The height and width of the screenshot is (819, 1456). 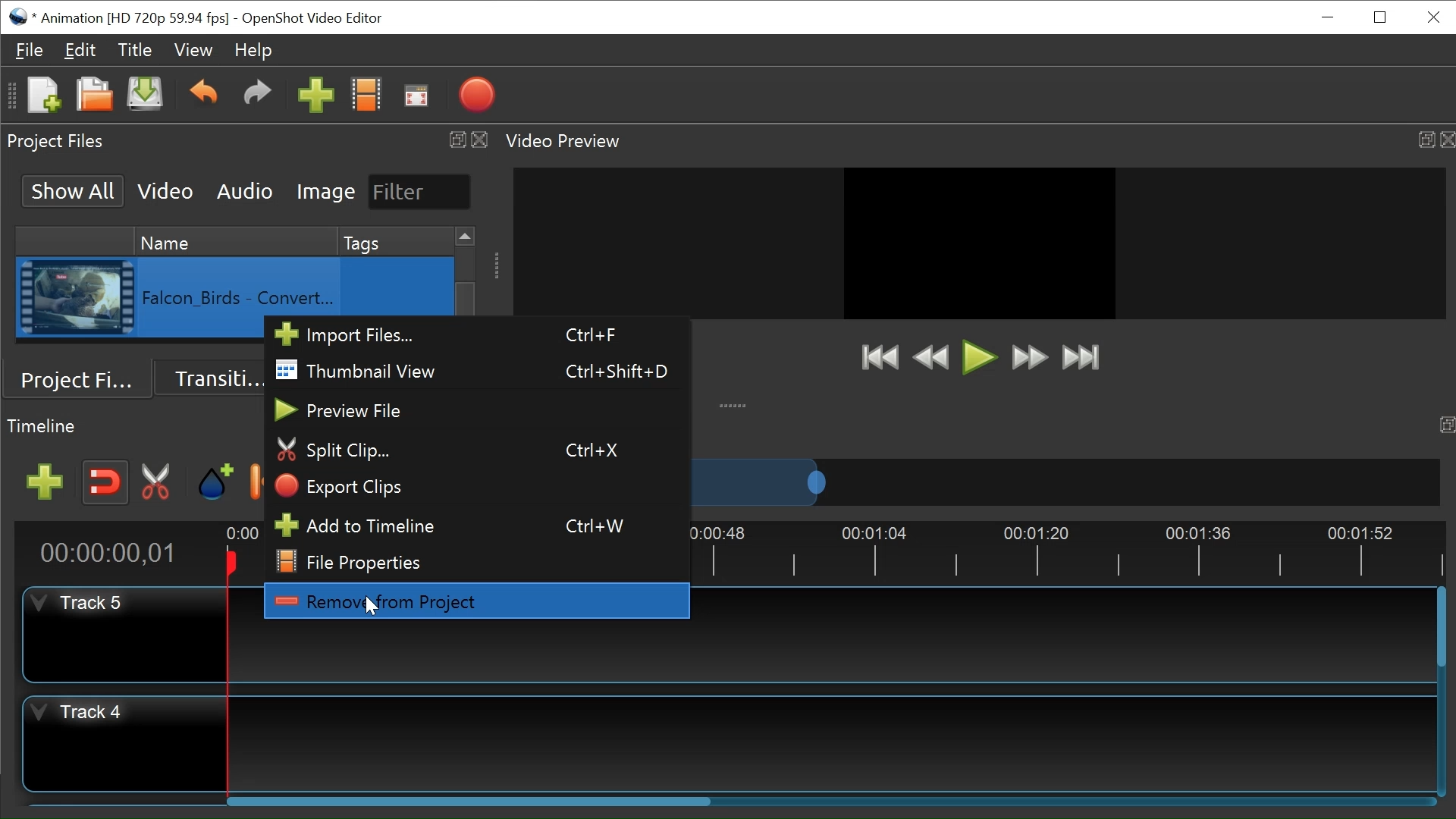 I want to click on Add Track, so click(x=45, y=482).